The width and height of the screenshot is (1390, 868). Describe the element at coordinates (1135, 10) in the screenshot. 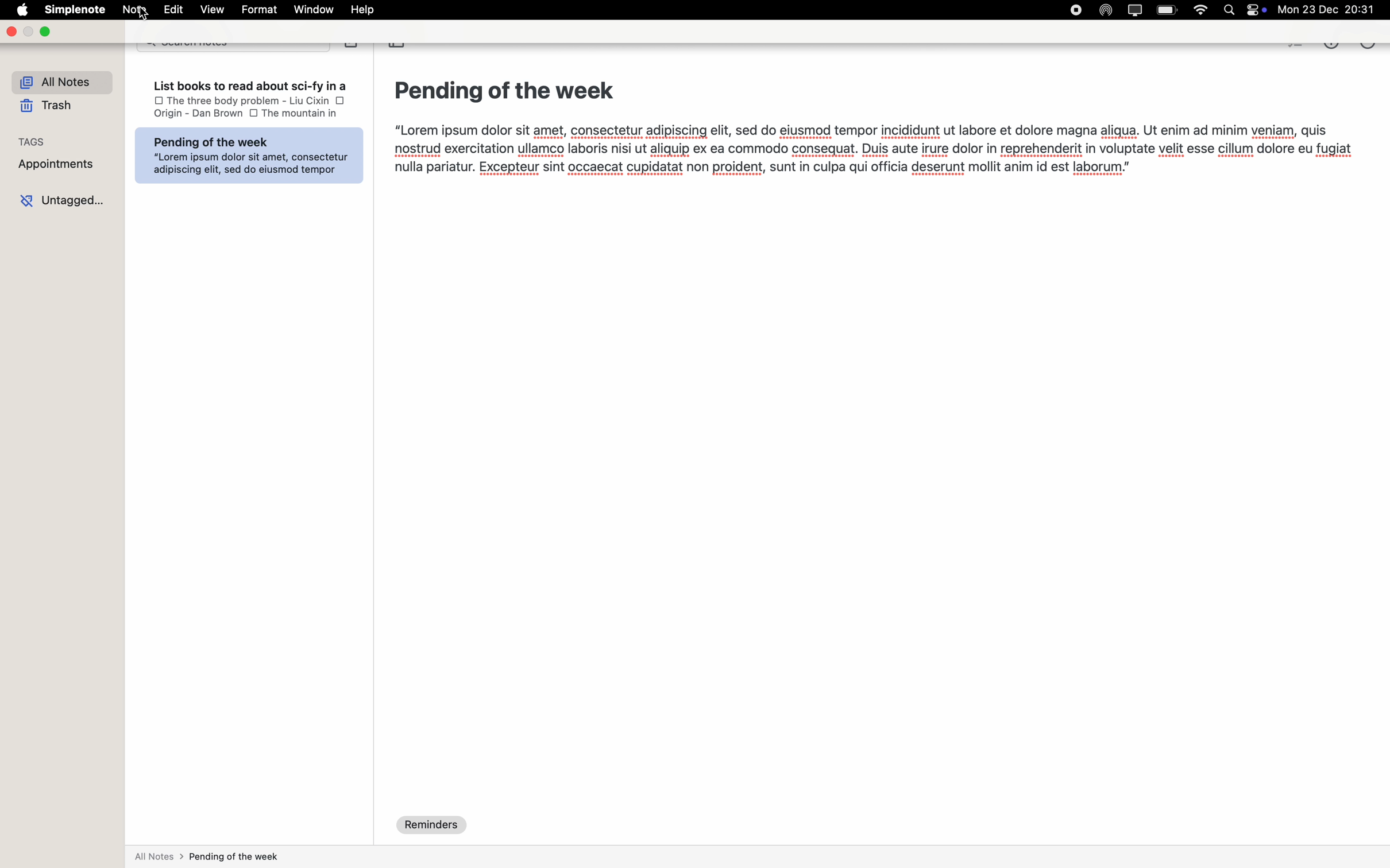

I see `screen` at that location.